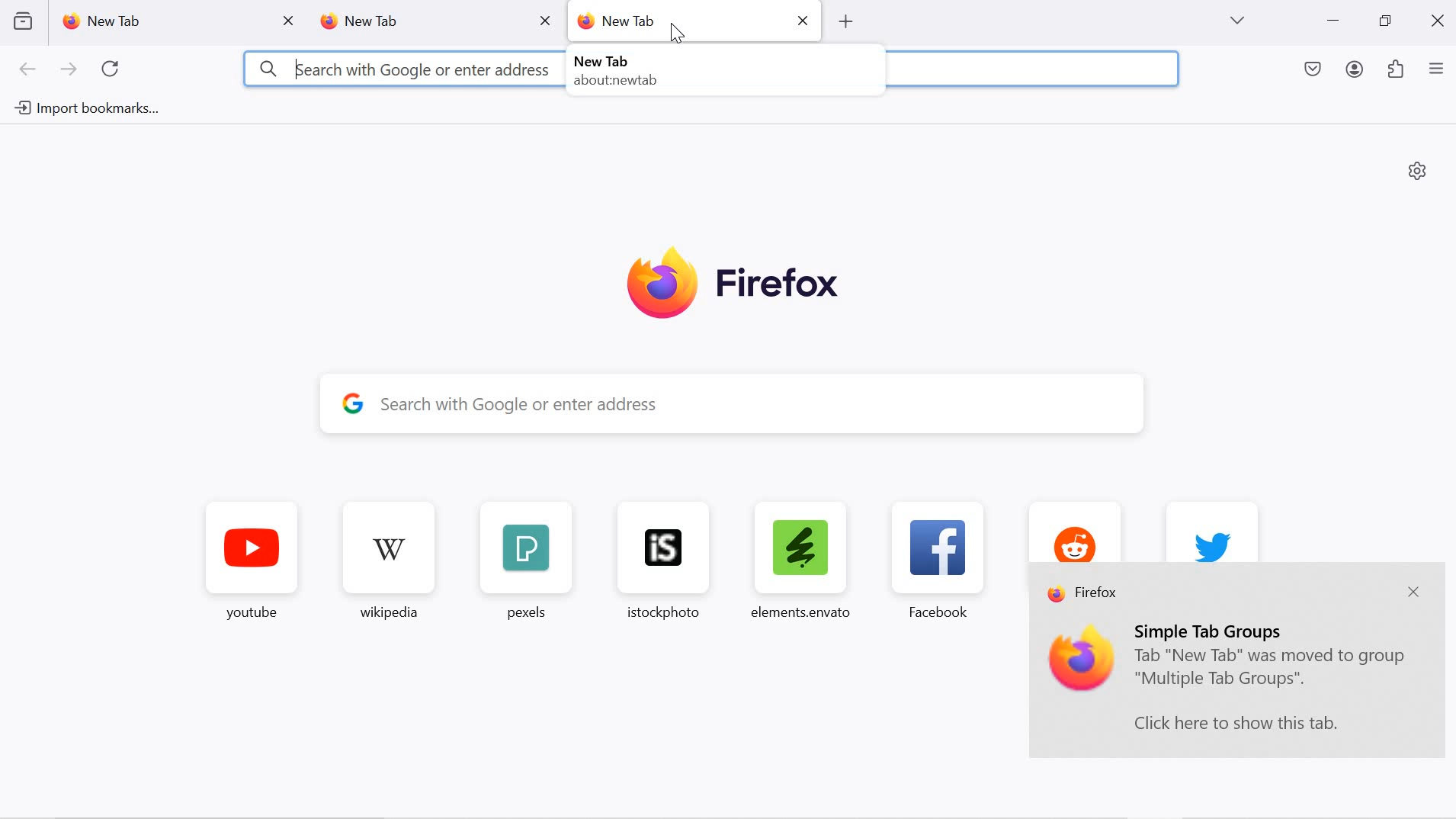 This screenshot has height=819, width=1456. What do you see at coordinates (943, 560) in the screenshot?
I see `facebook favorite` at bounding box center [943, 560].